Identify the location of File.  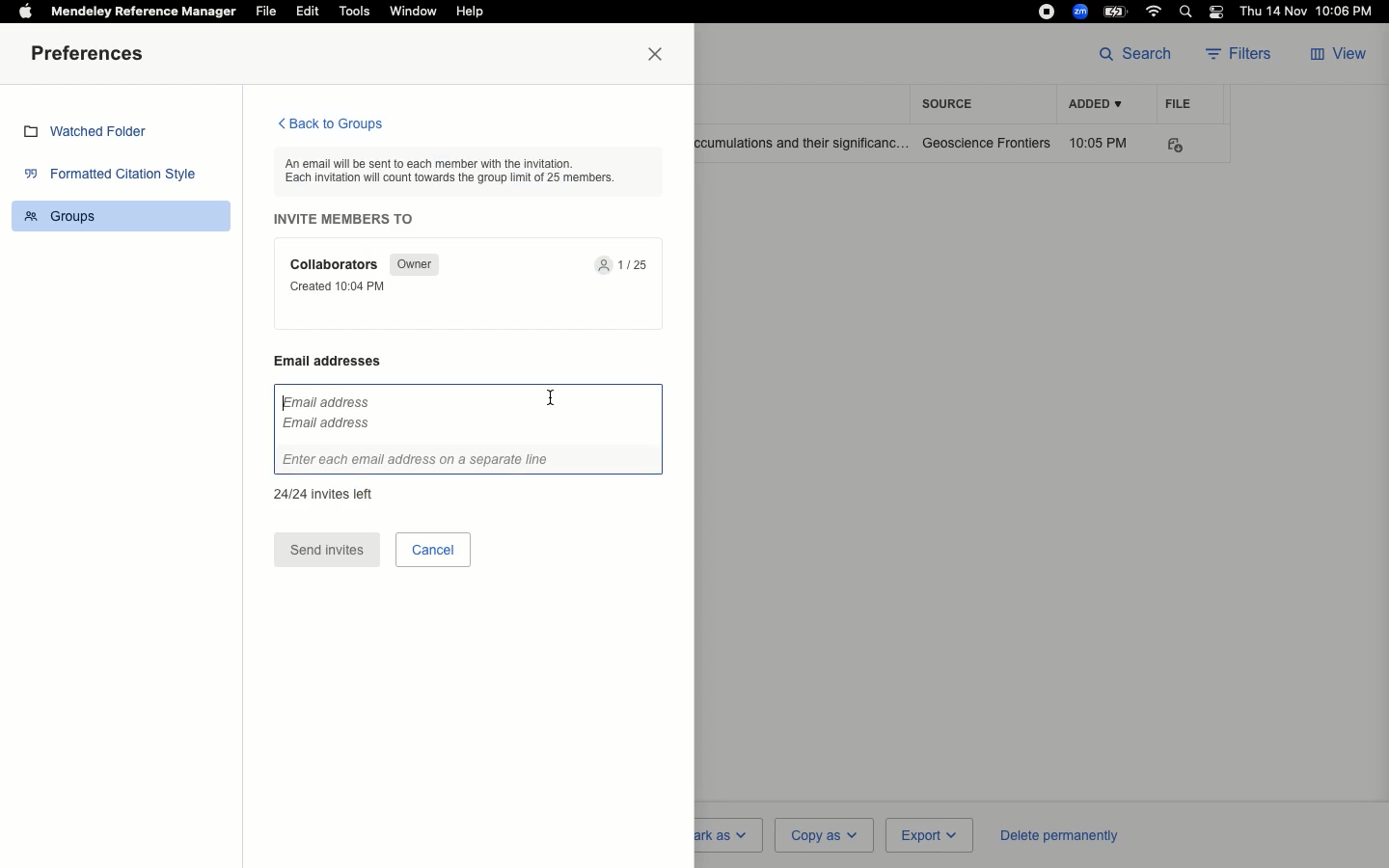
(266, 12).